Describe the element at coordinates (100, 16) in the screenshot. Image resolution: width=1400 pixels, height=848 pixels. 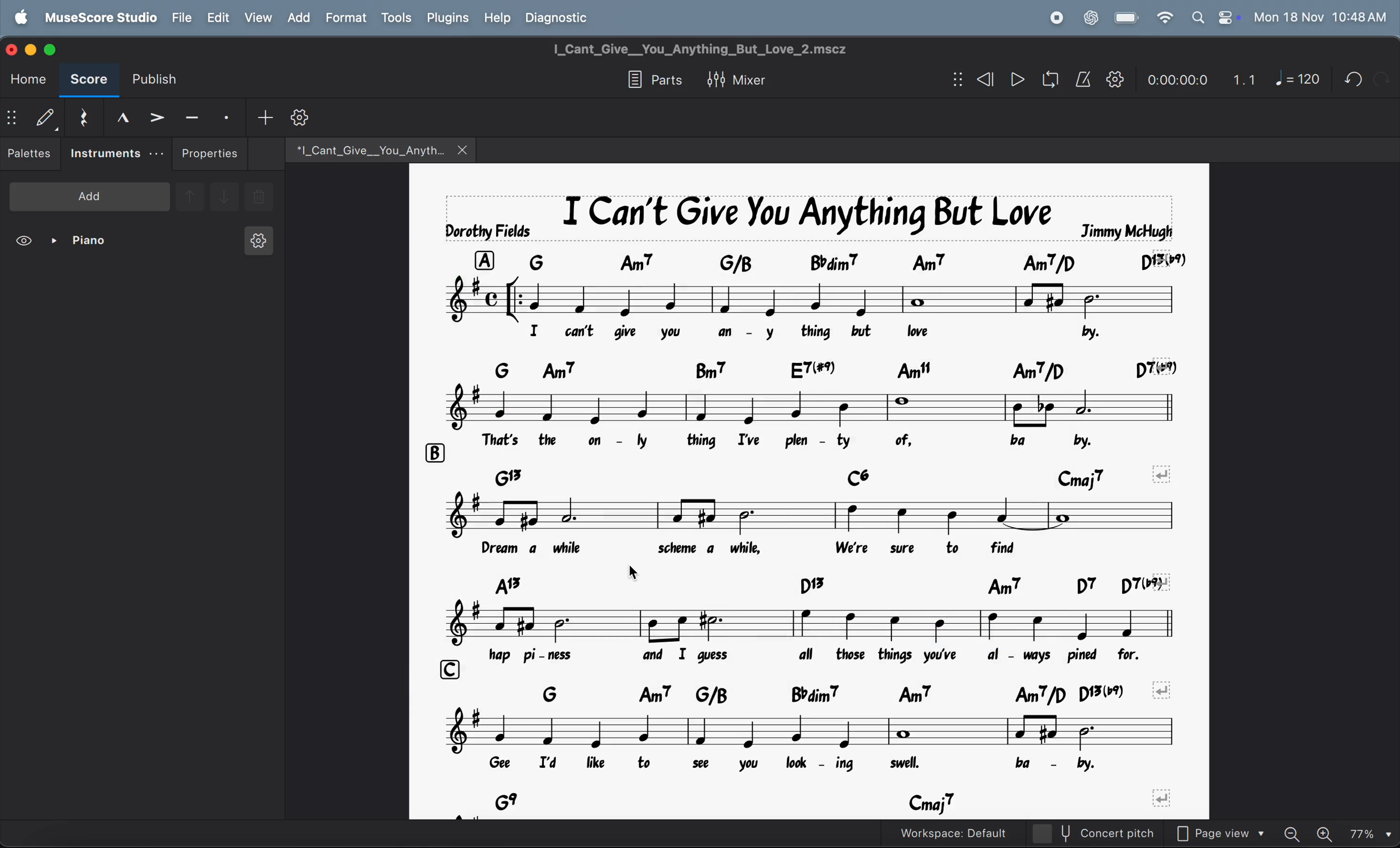
I see `muse score studio` at that location.